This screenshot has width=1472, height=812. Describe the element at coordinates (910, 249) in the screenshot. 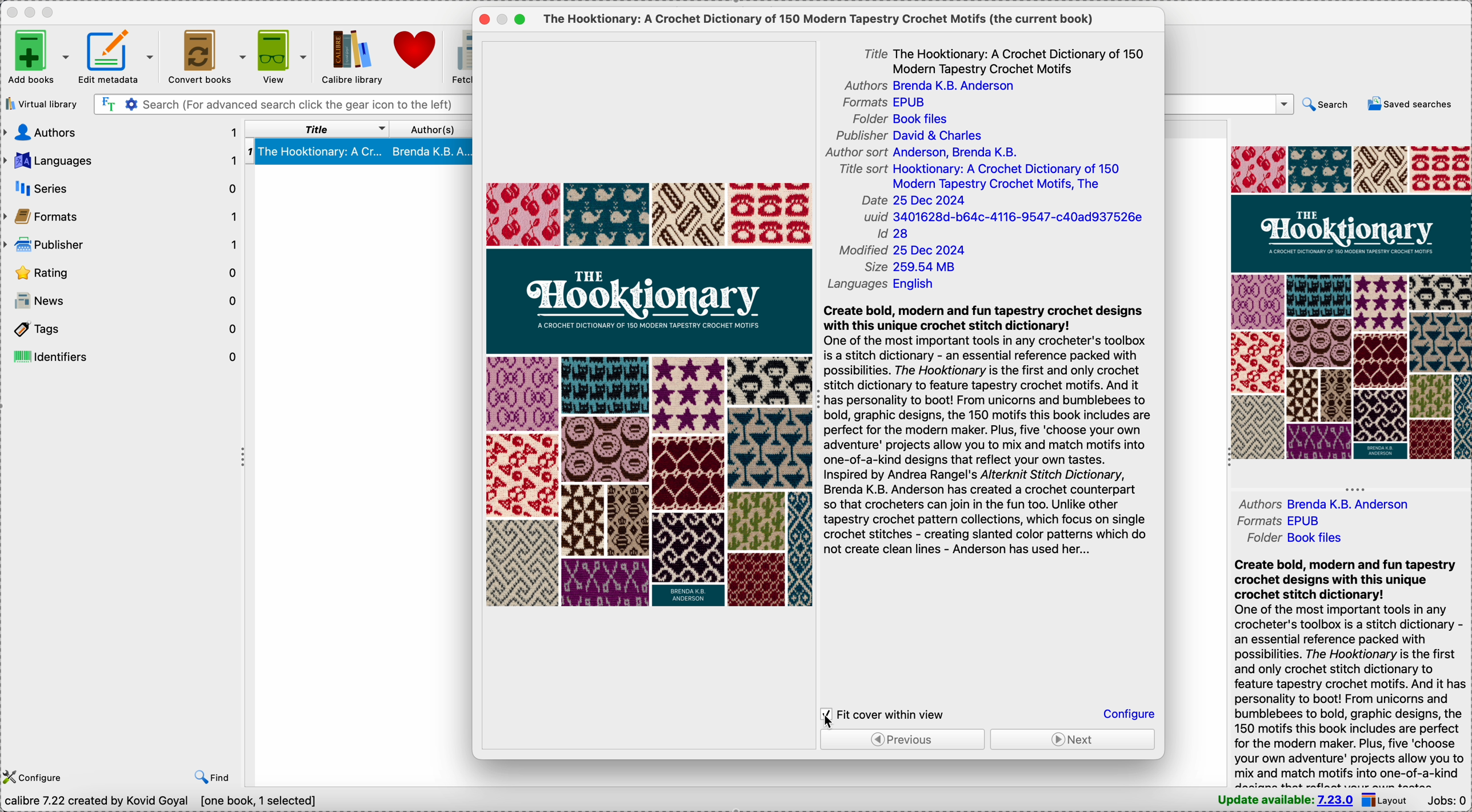

I see `modified` at that location.